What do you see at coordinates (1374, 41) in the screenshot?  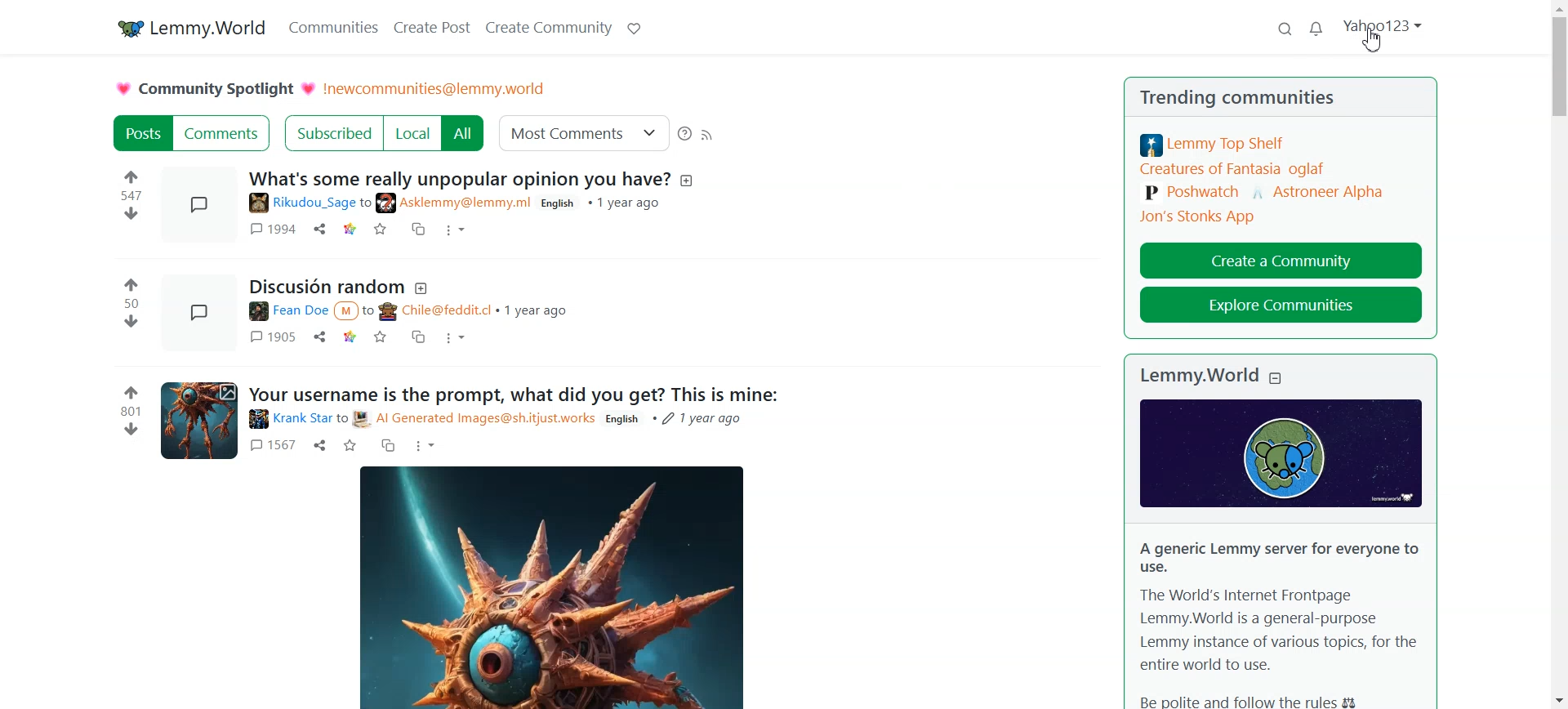 I see `Cursor` at bounding box center [1374, 41].